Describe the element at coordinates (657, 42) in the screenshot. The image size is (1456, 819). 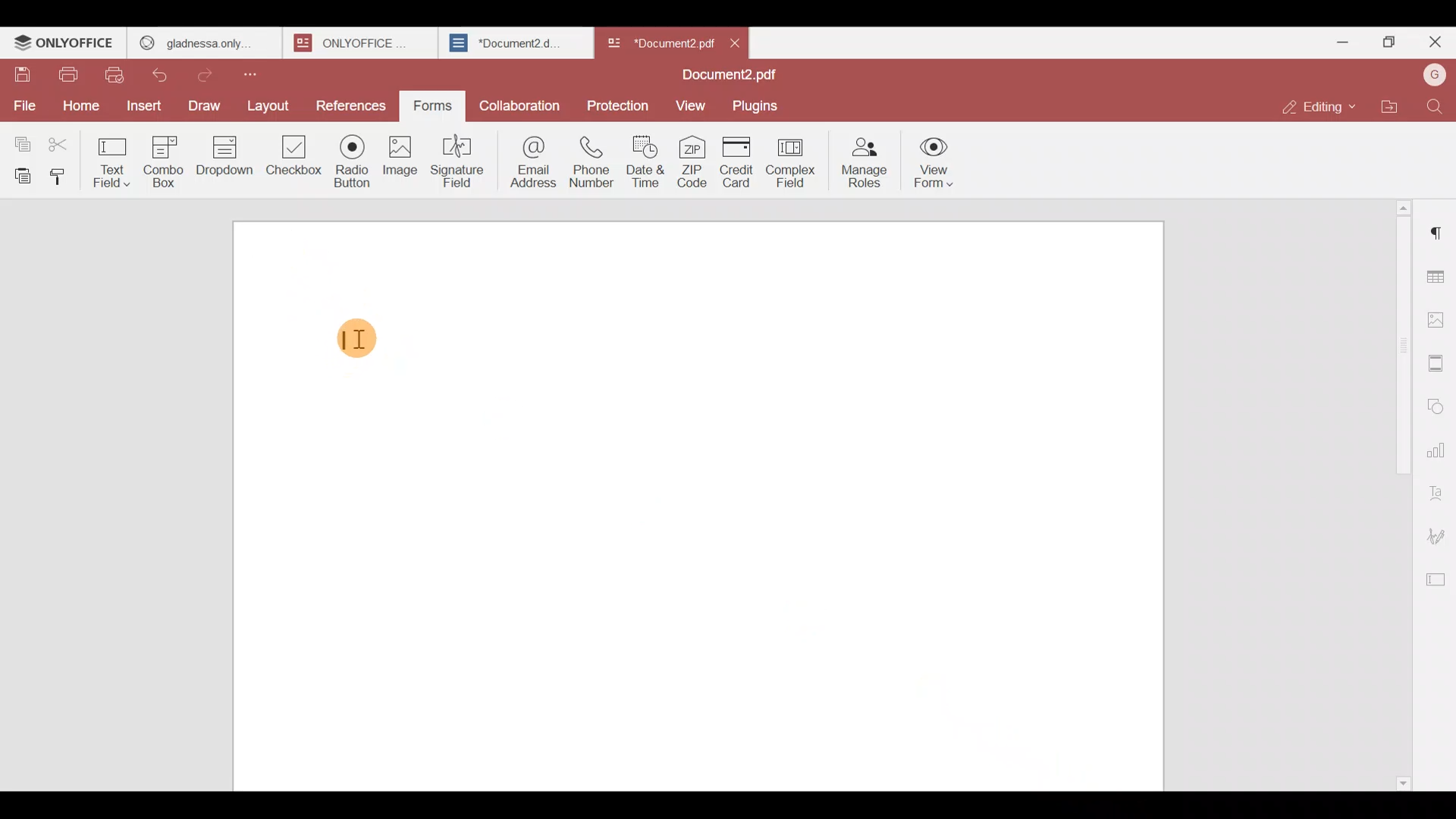
I see `*Document2 pd` at that location.